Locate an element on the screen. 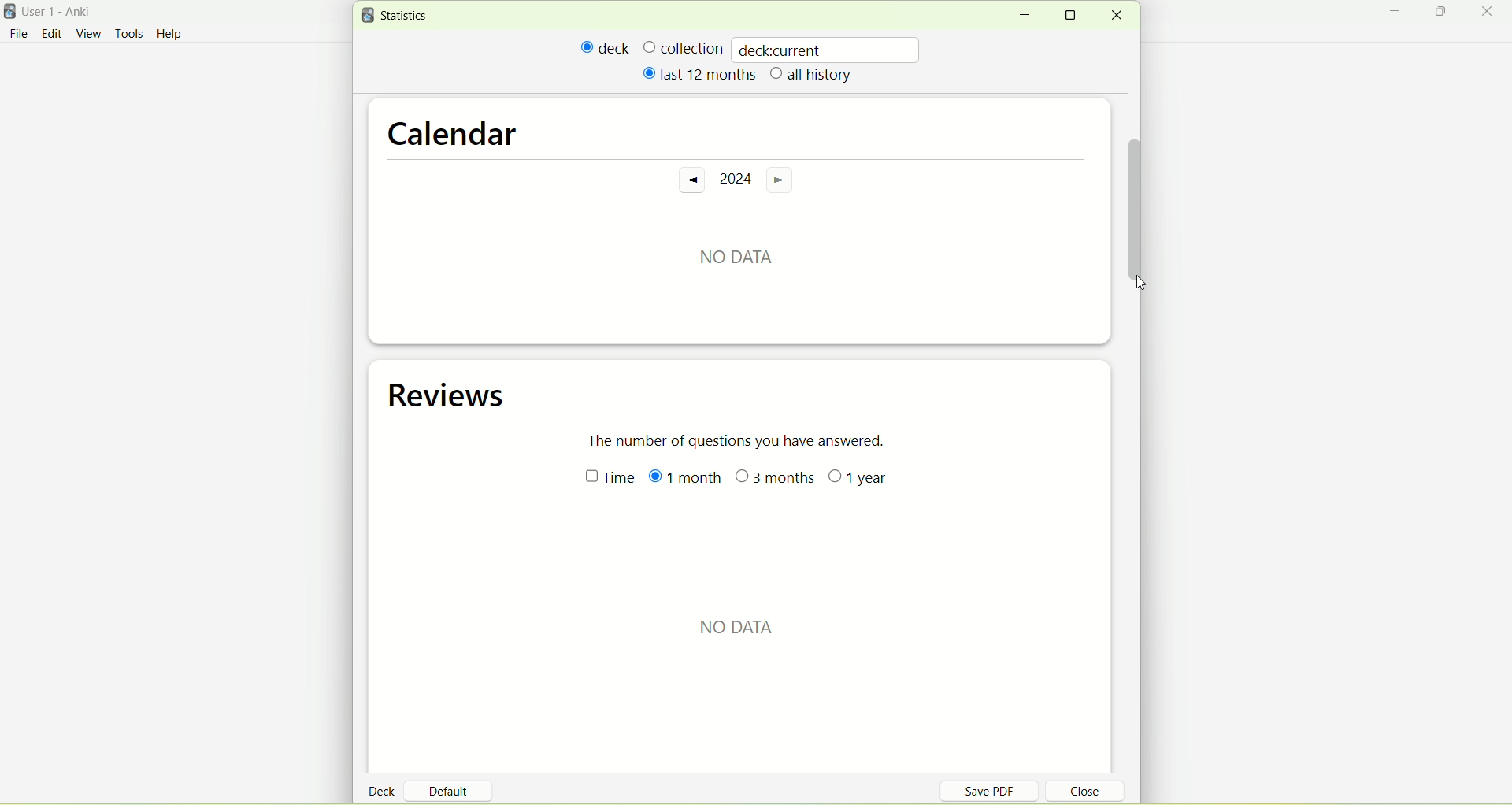 The width and height of the screenshot is (1512, 805). The number of questions you have answered. is located at coordinates (745, 440).